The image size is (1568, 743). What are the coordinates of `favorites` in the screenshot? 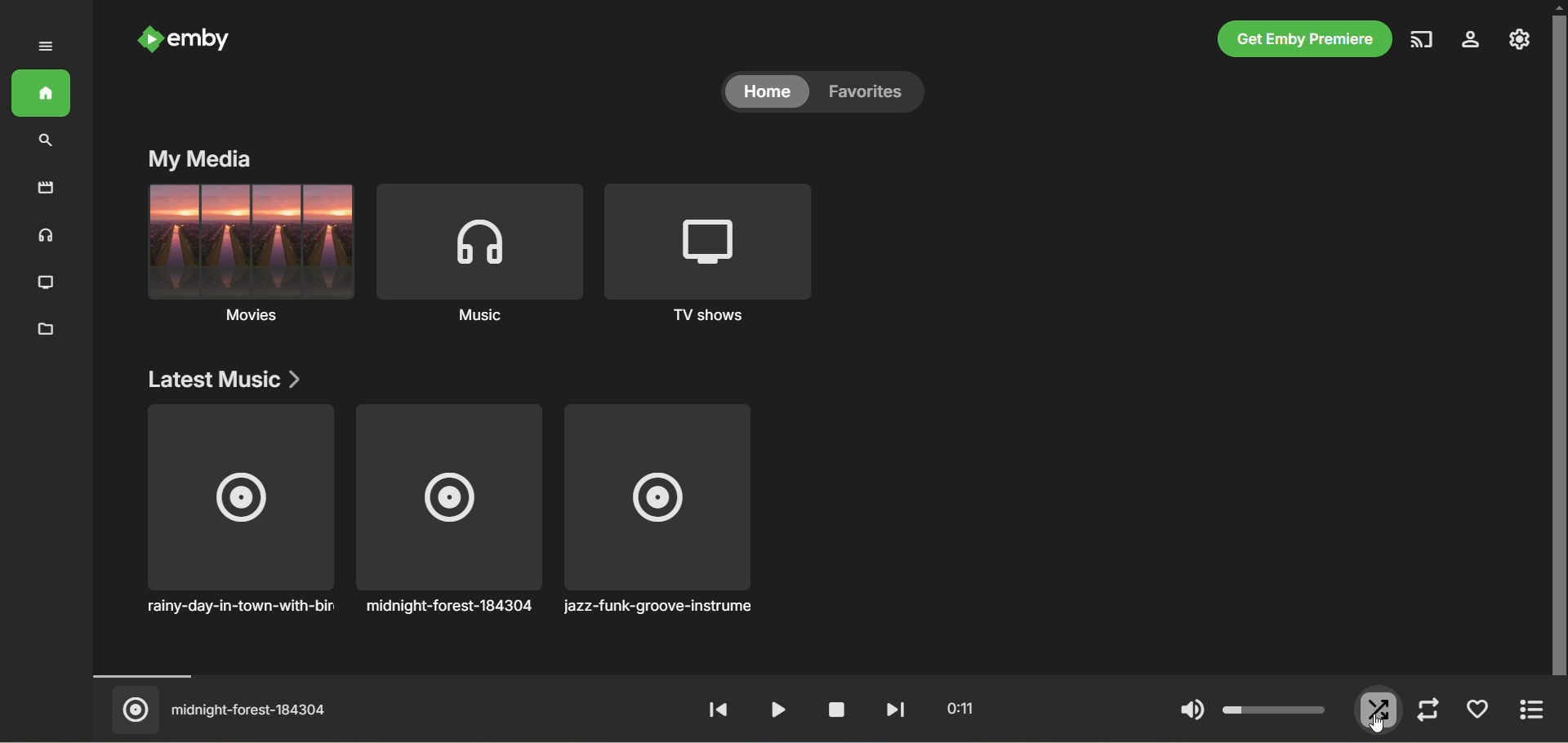 It's located at (1479, 712).